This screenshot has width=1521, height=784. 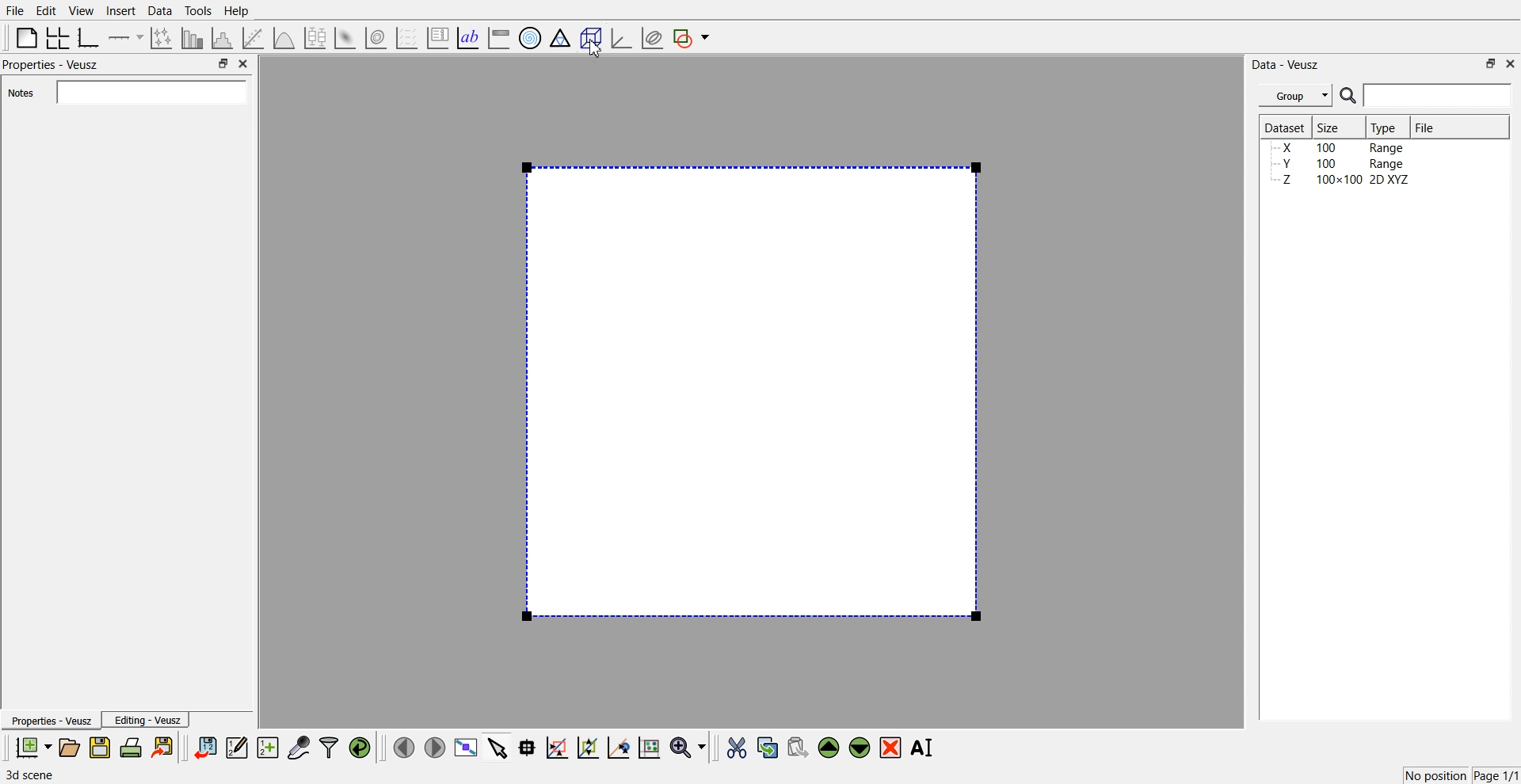 I want to click on File, so click(x=1427, y=127).